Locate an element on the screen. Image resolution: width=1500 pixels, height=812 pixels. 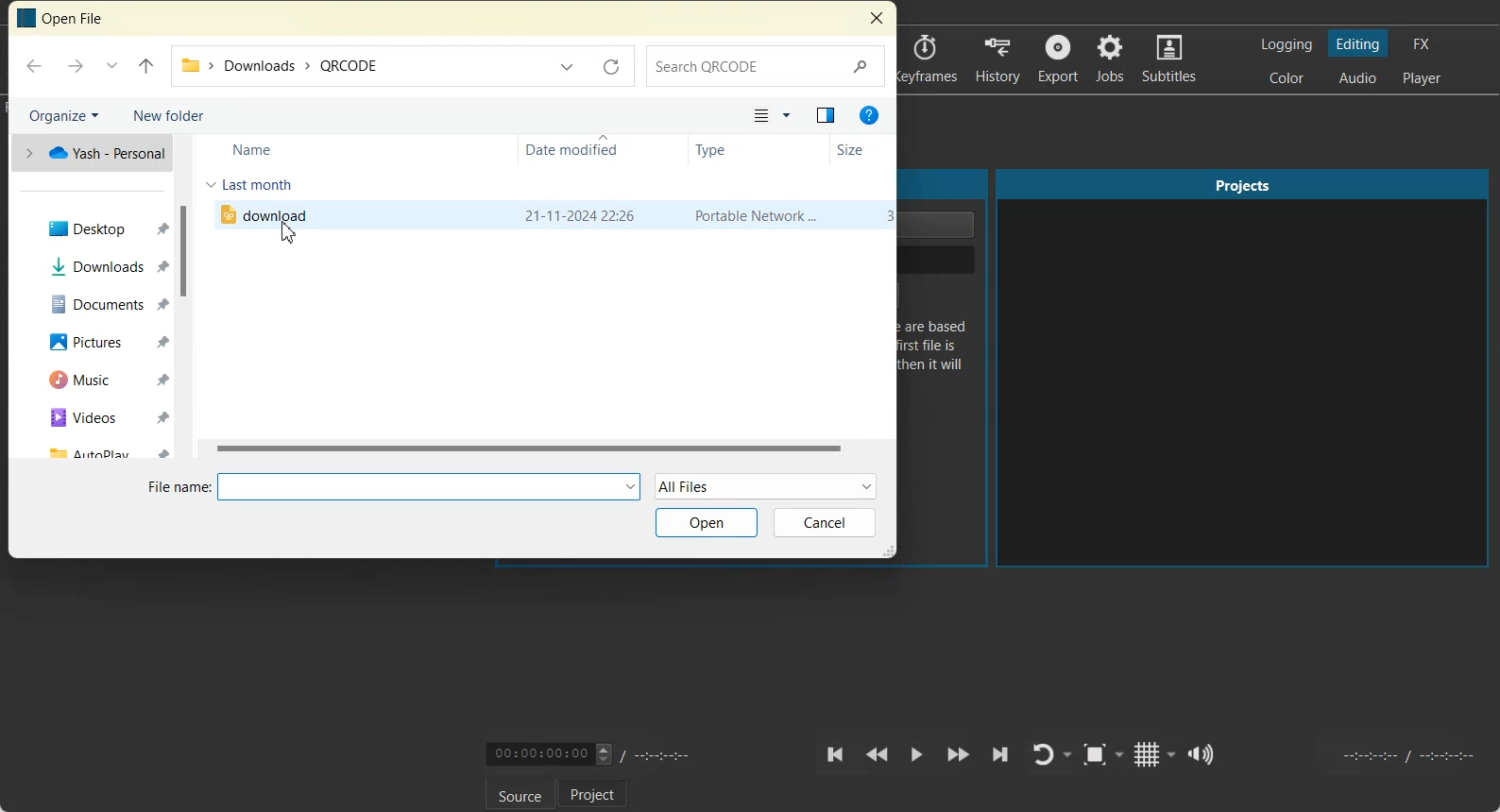
Go Forward is located at coordinates (74, 65).